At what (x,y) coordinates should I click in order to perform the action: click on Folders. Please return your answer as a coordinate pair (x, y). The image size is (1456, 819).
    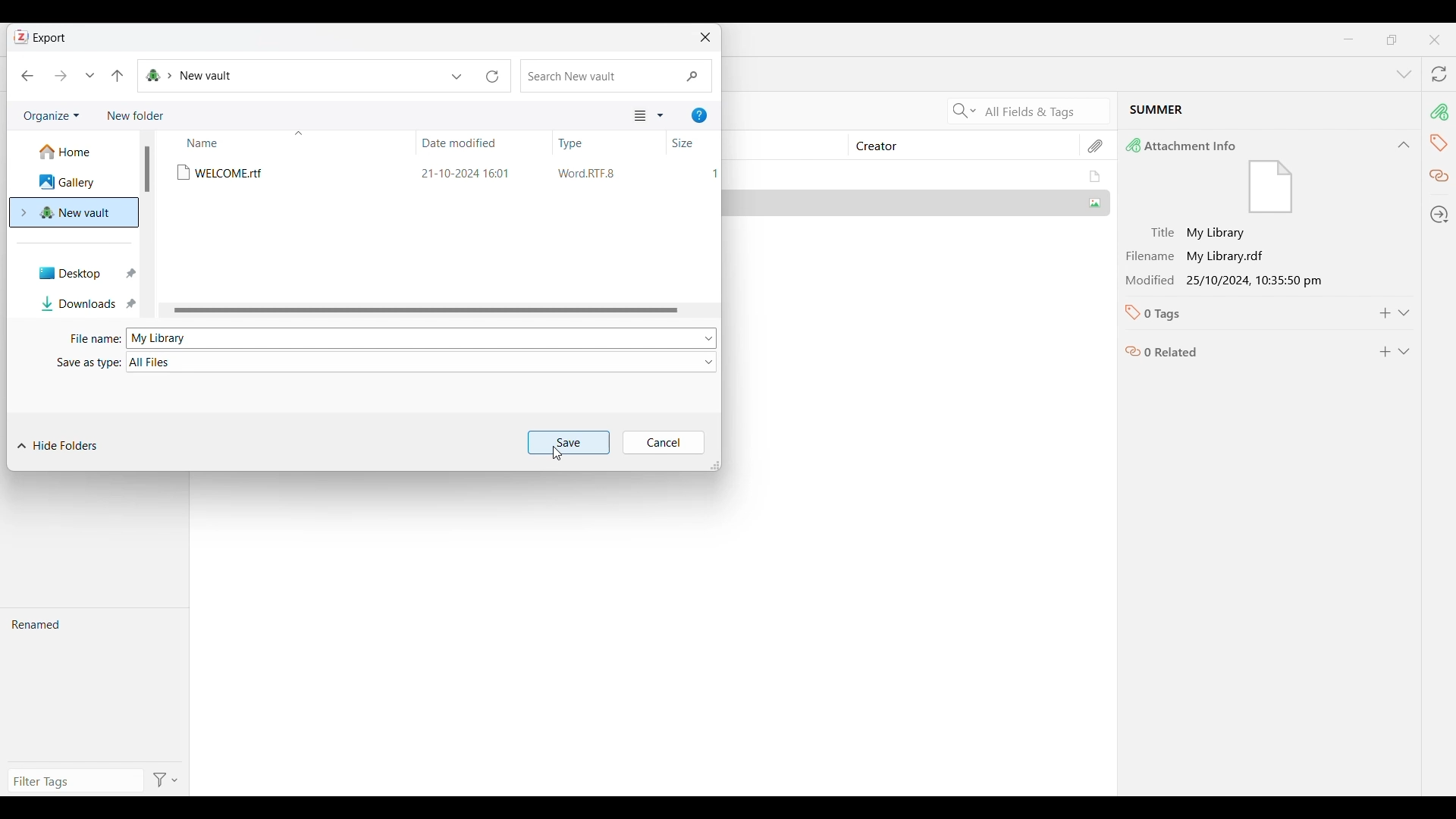
    Looking at the image, I should click on (152, 75).